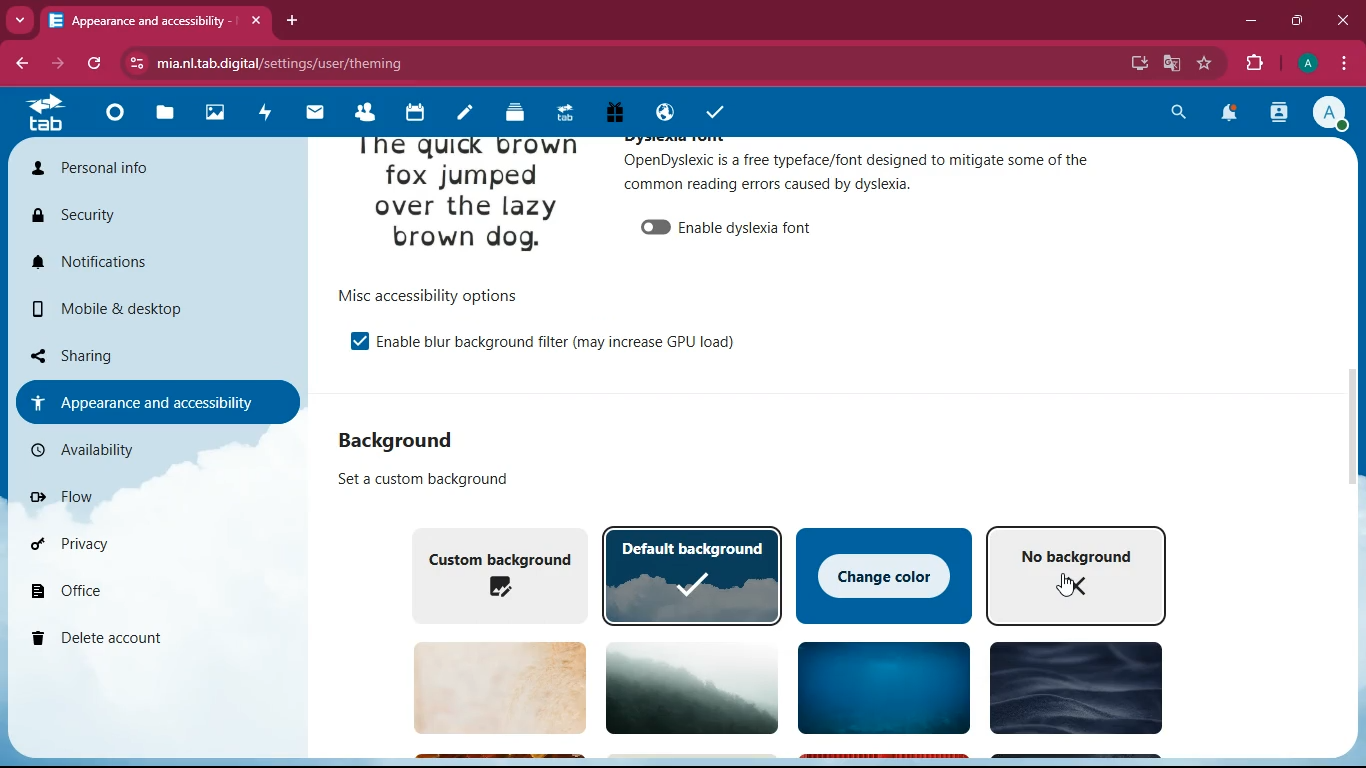 This screenshot has width=1366, height=768. What do you see at coordinates (859, 171) in the screenshot?
I see `description` at bounding box center [859, 171].